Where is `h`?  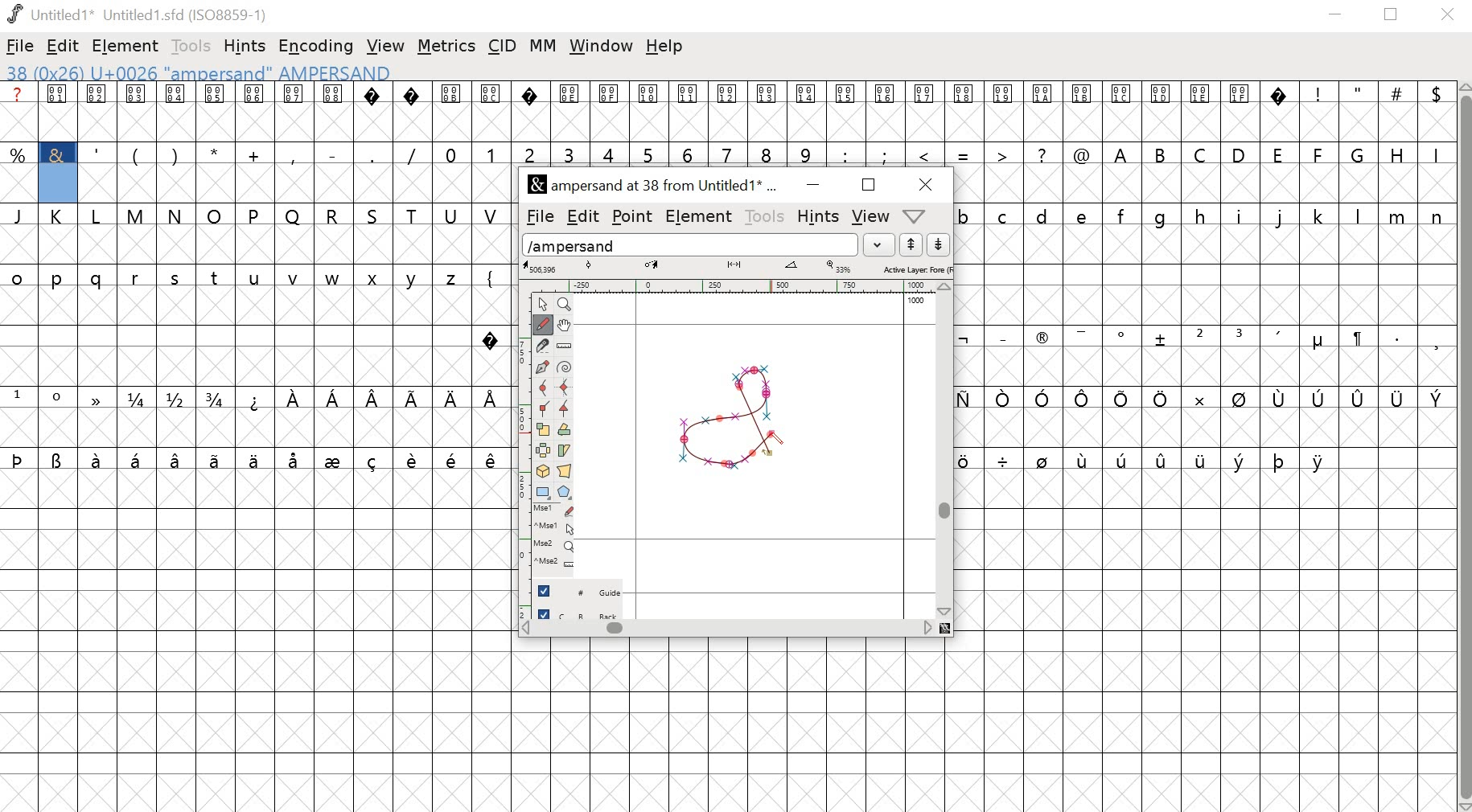
h is located at coordinates (1201, 215).